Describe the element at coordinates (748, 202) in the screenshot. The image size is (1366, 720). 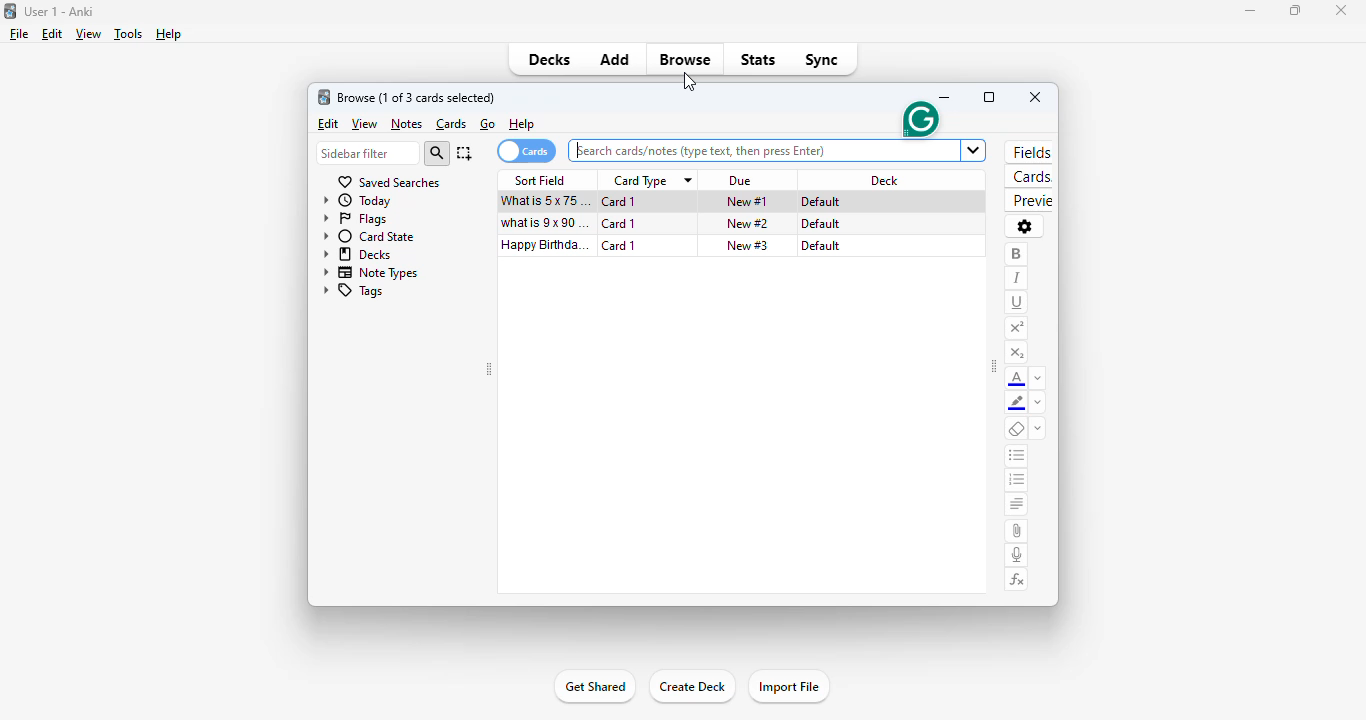
I see `new #1` at that location.